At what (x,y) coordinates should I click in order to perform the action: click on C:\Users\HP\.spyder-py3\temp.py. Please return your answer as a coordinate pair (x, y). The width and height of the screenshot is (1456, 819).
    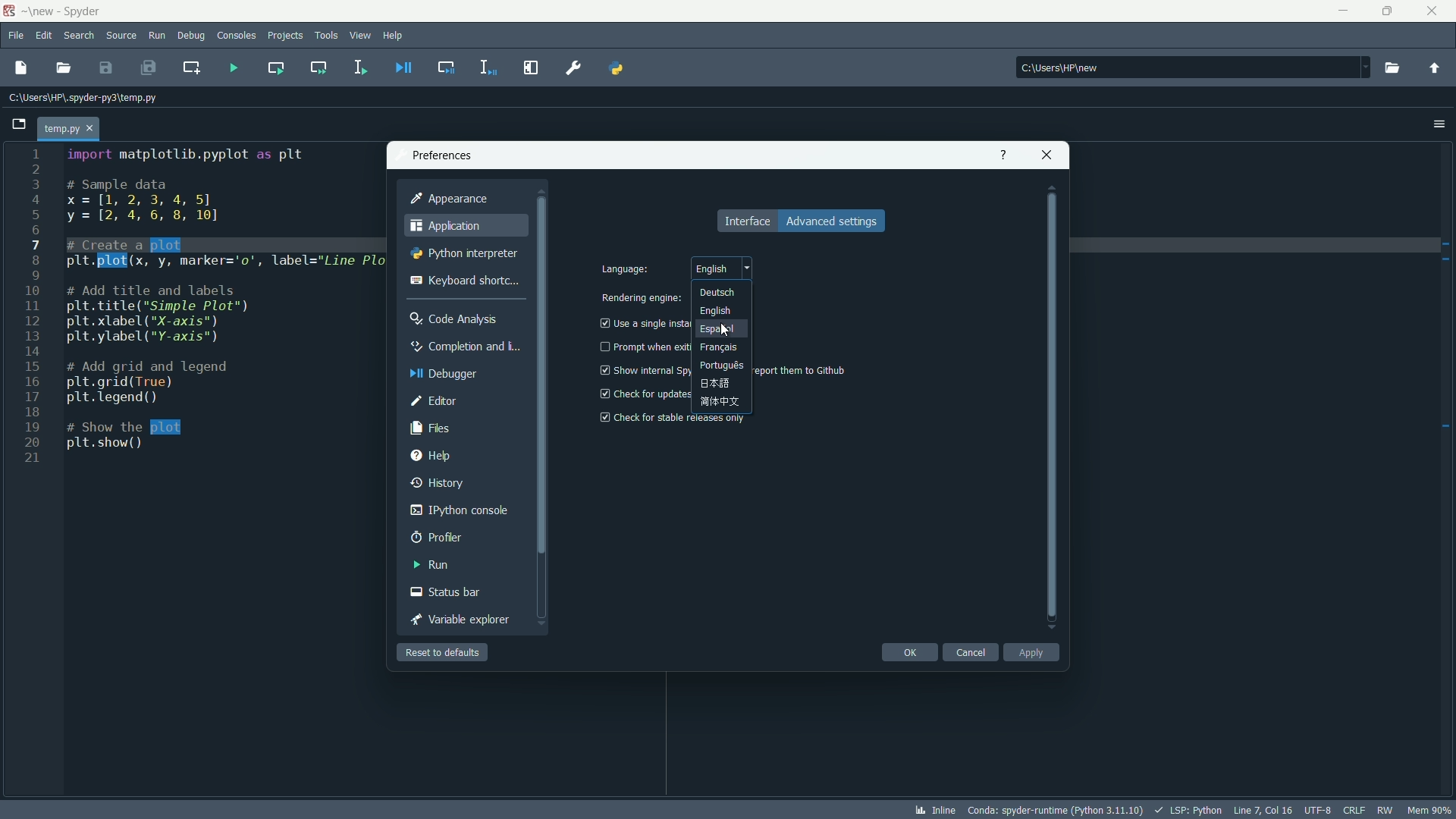
    Looking at the image, I should click on (79, 98).